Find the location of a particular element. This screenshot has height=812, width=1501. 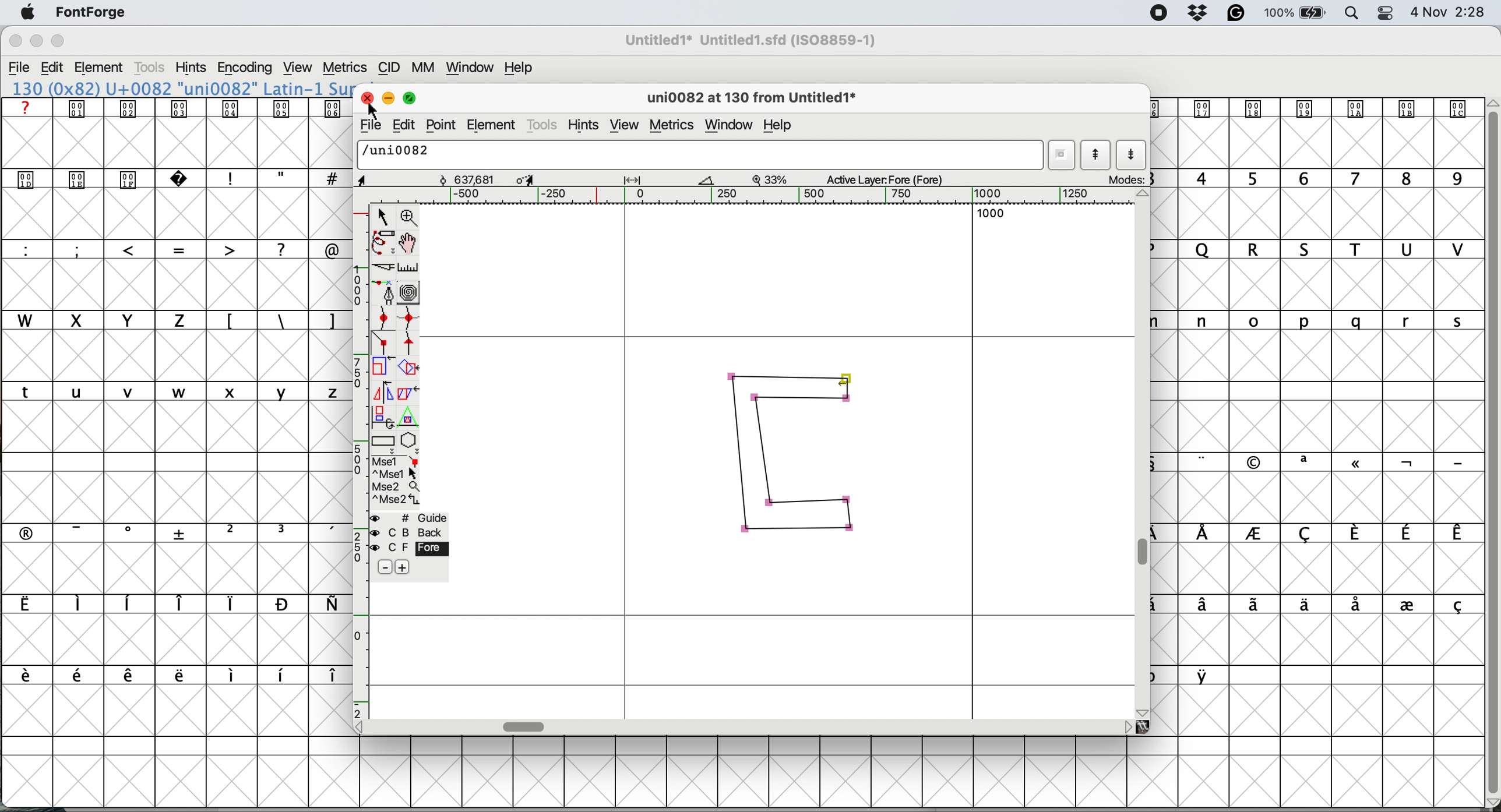

symbols is located at coordinates (185, 532).